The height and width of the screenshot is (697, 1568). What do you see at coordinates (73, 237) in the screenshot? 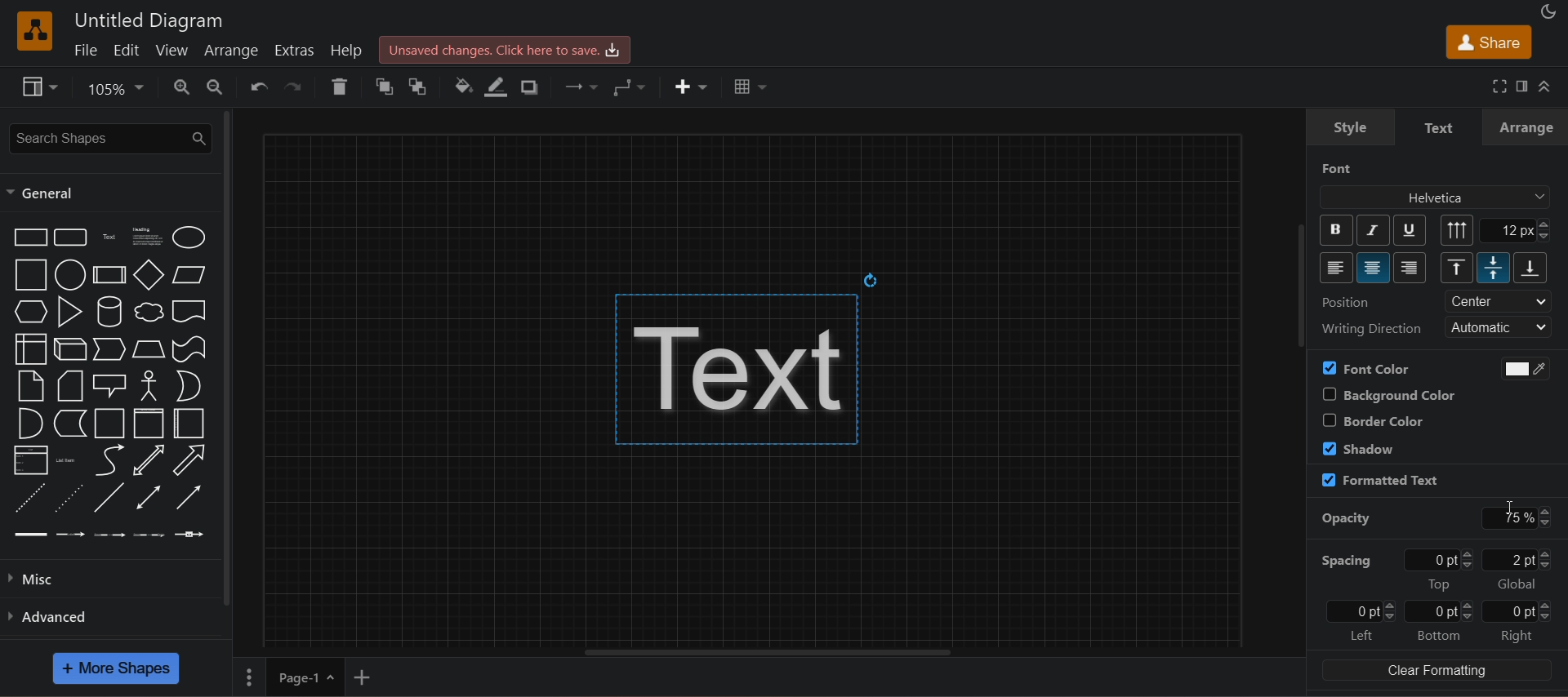
I see `rounded rectangle` at bounding box center [73, 237].